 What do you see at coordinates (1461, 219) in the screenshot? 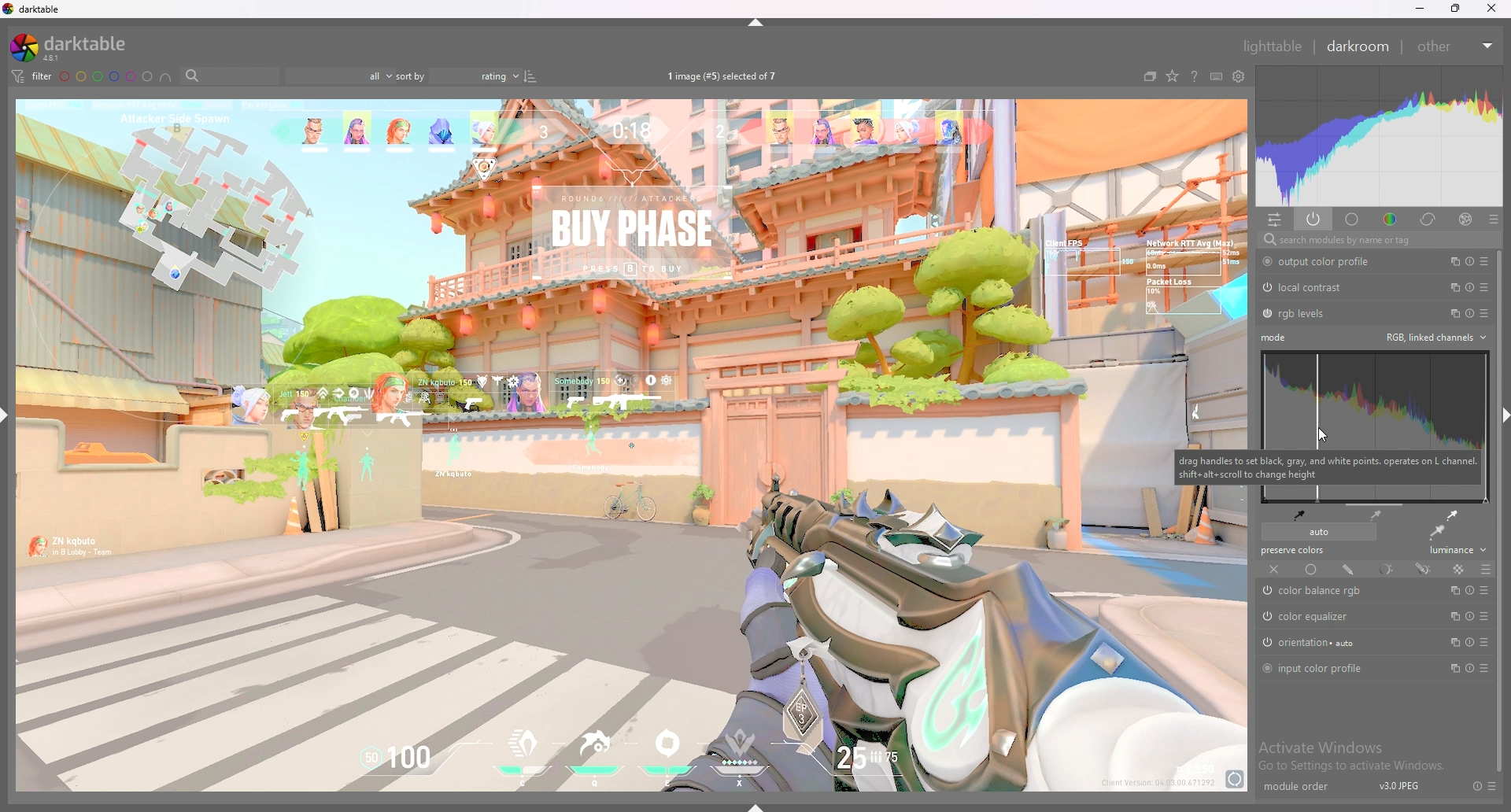
I see `effect` at bounding box center [1461, 219].